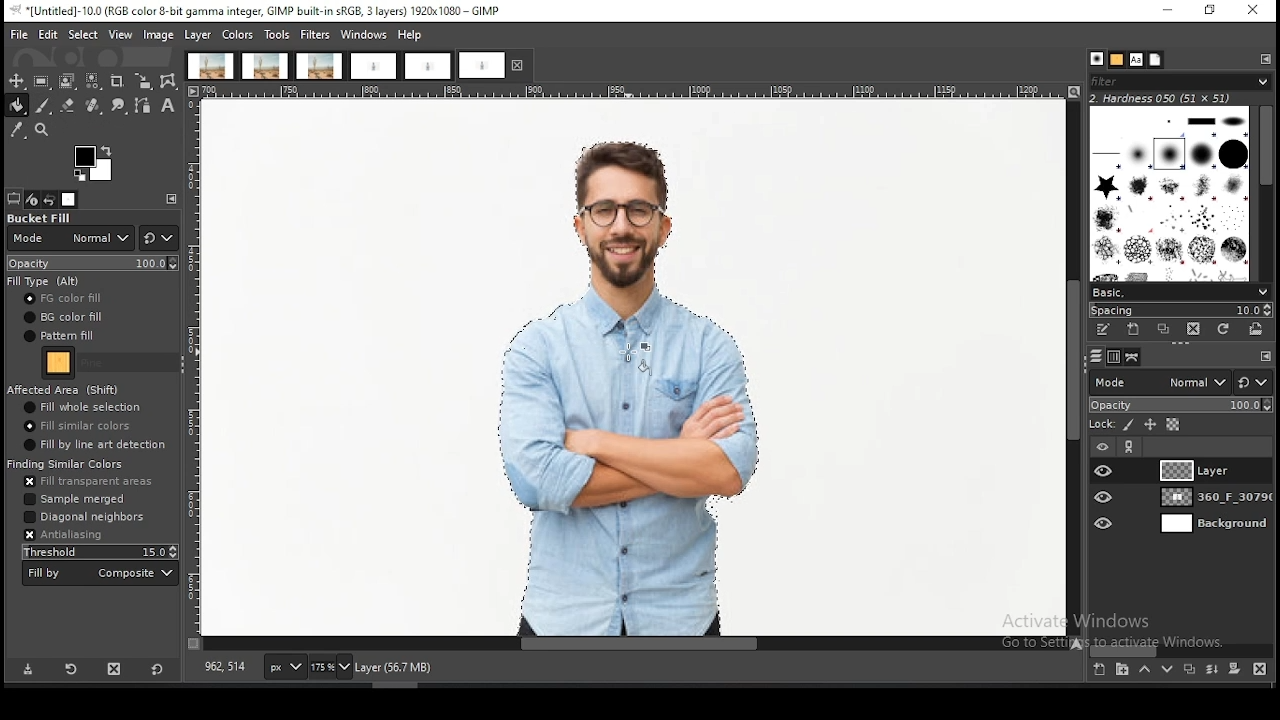  I want to click on select, so click(85, 34).